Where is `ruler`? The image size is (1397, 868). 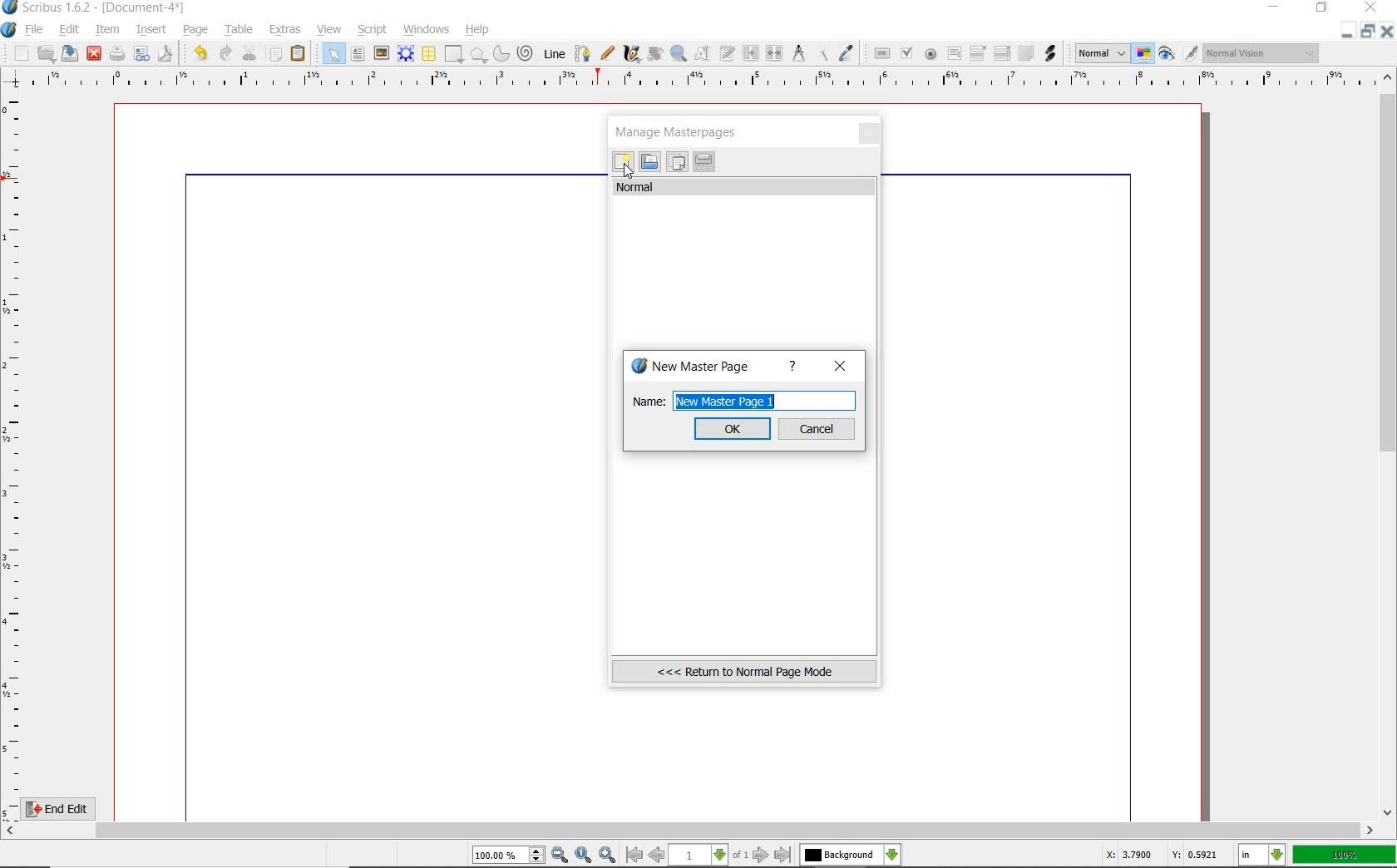
ruler is located at coordinates (15, 454).